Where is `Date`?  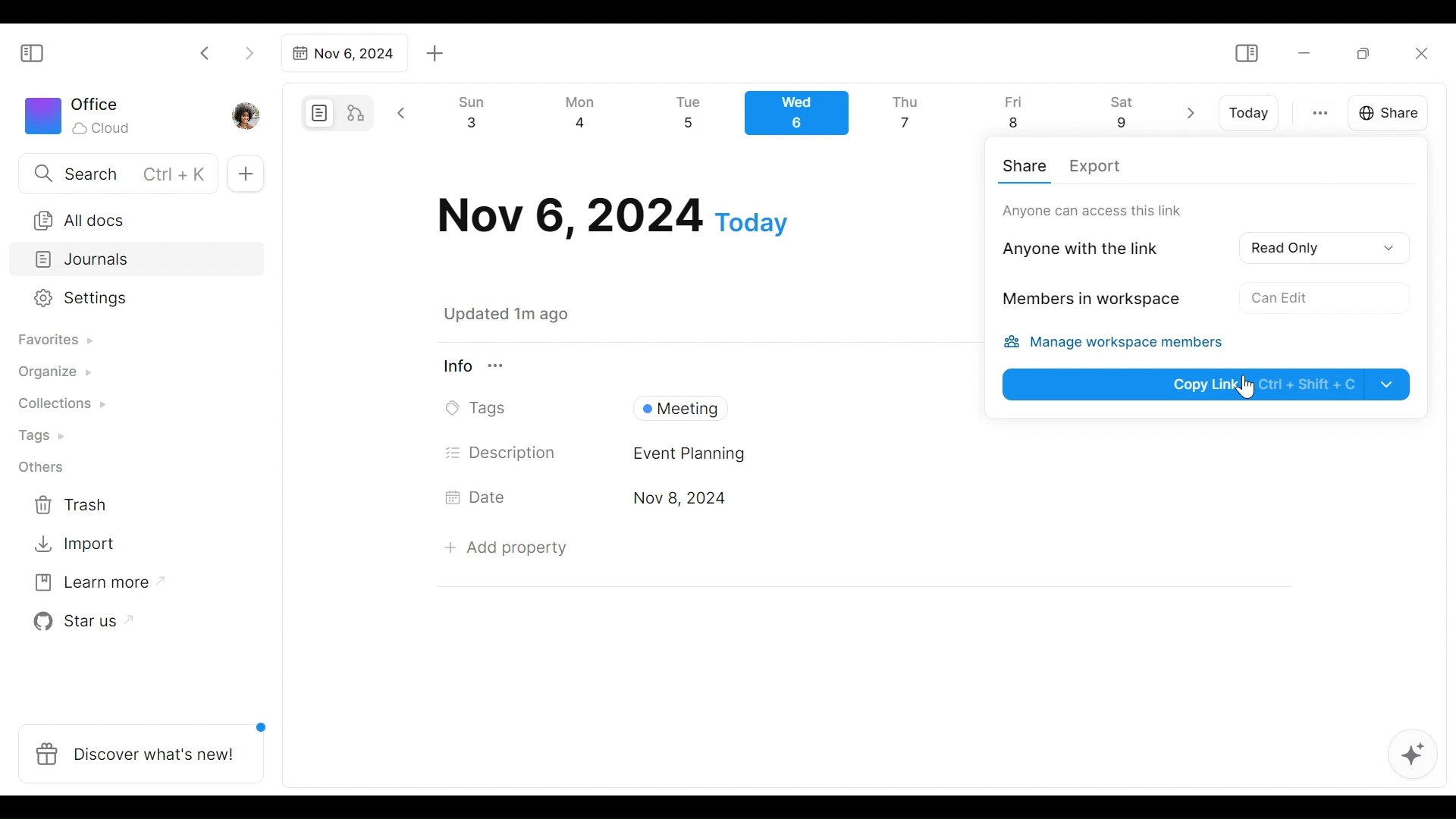
Date is located at coordinates (613, 216).